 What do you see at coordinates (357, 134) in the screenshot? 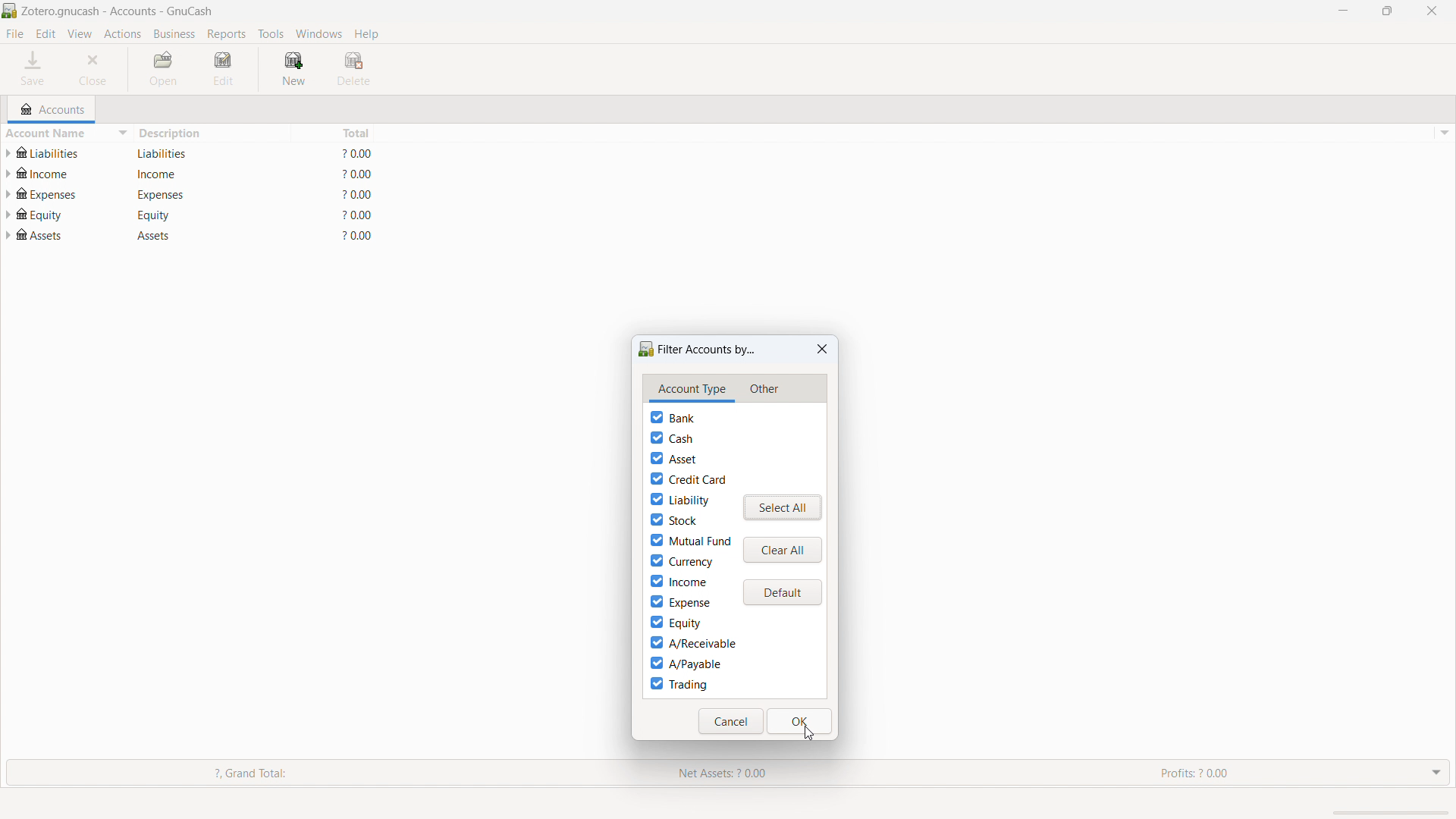
I see `total` at bounding box center [357, 134].